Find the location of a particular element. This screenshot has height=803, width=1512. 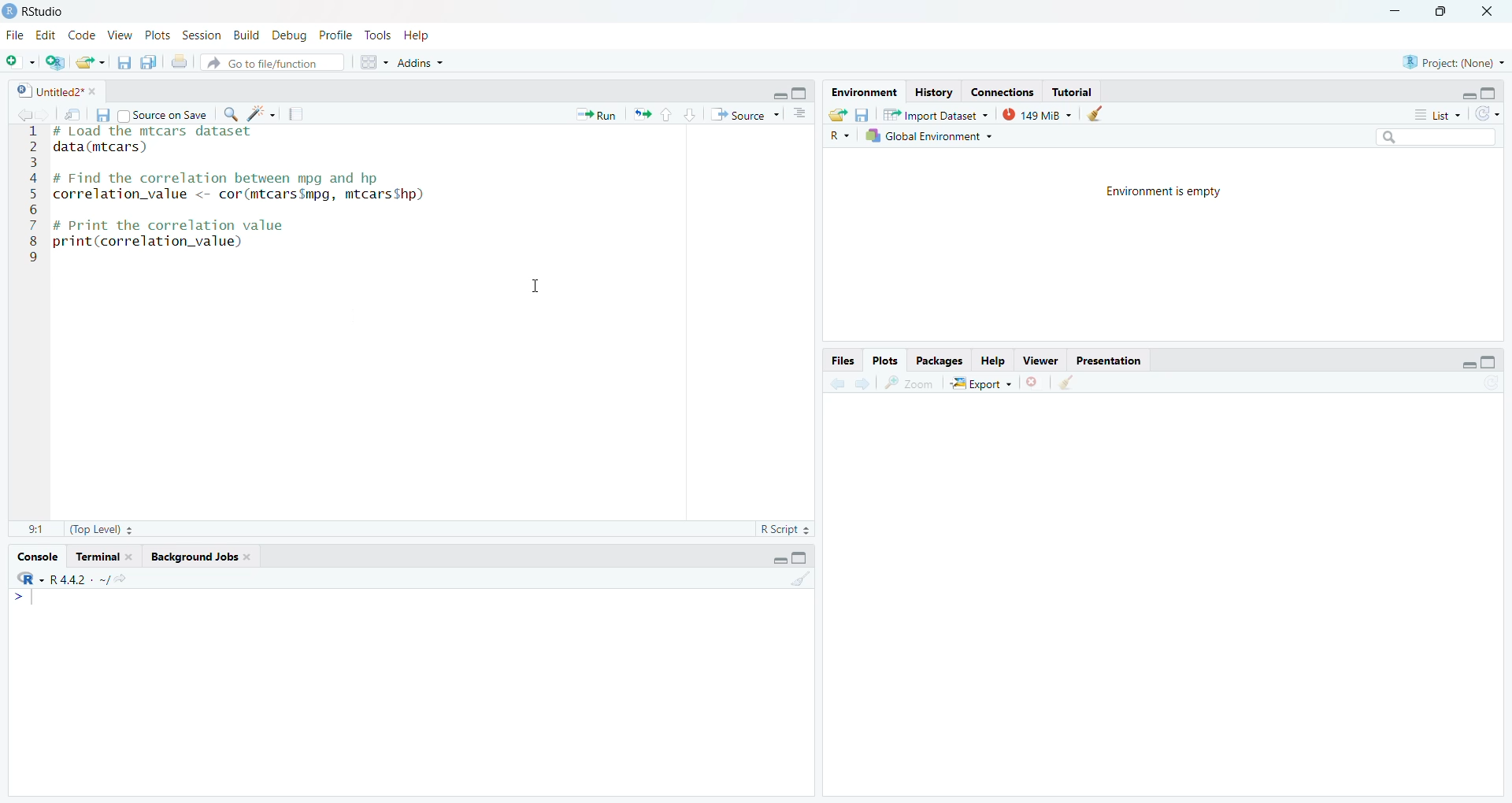

Print the current file is located at coordinates (178, 61).